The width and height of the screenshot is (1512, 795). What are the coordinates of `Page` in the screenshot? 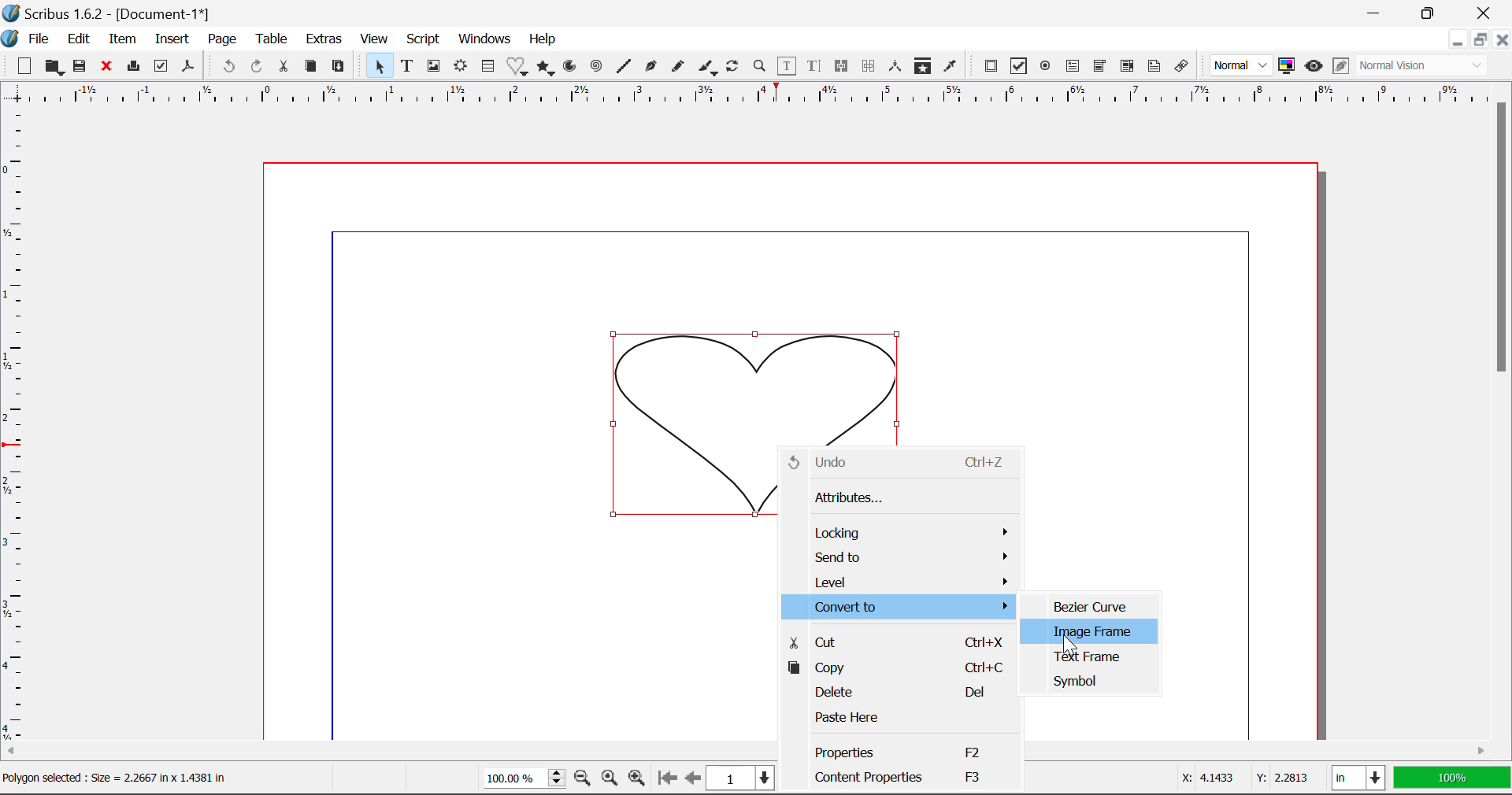 It's located at (224, 39).